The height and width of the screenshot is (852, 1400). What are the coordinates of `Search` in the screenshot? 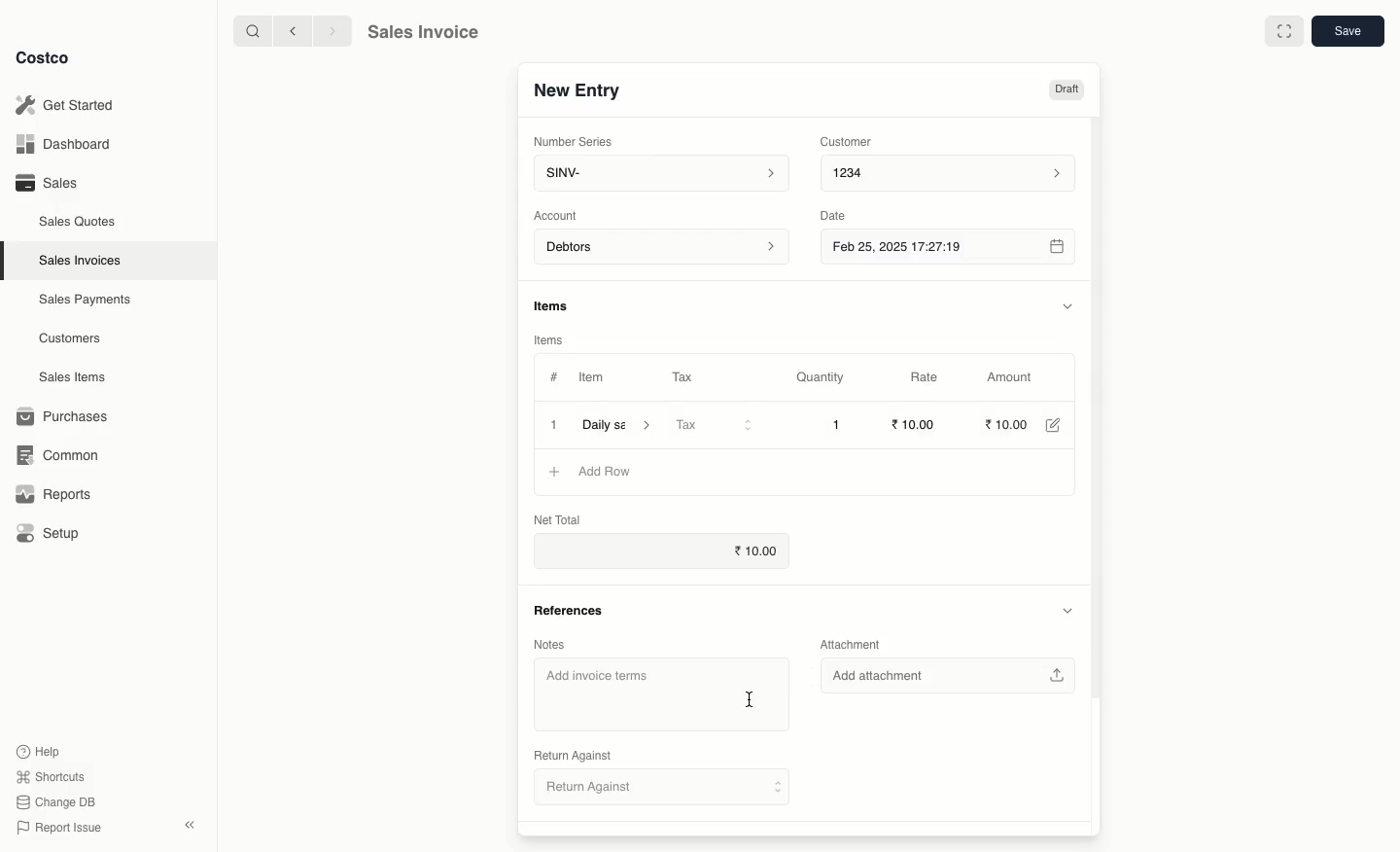 It's located at (248, 32).